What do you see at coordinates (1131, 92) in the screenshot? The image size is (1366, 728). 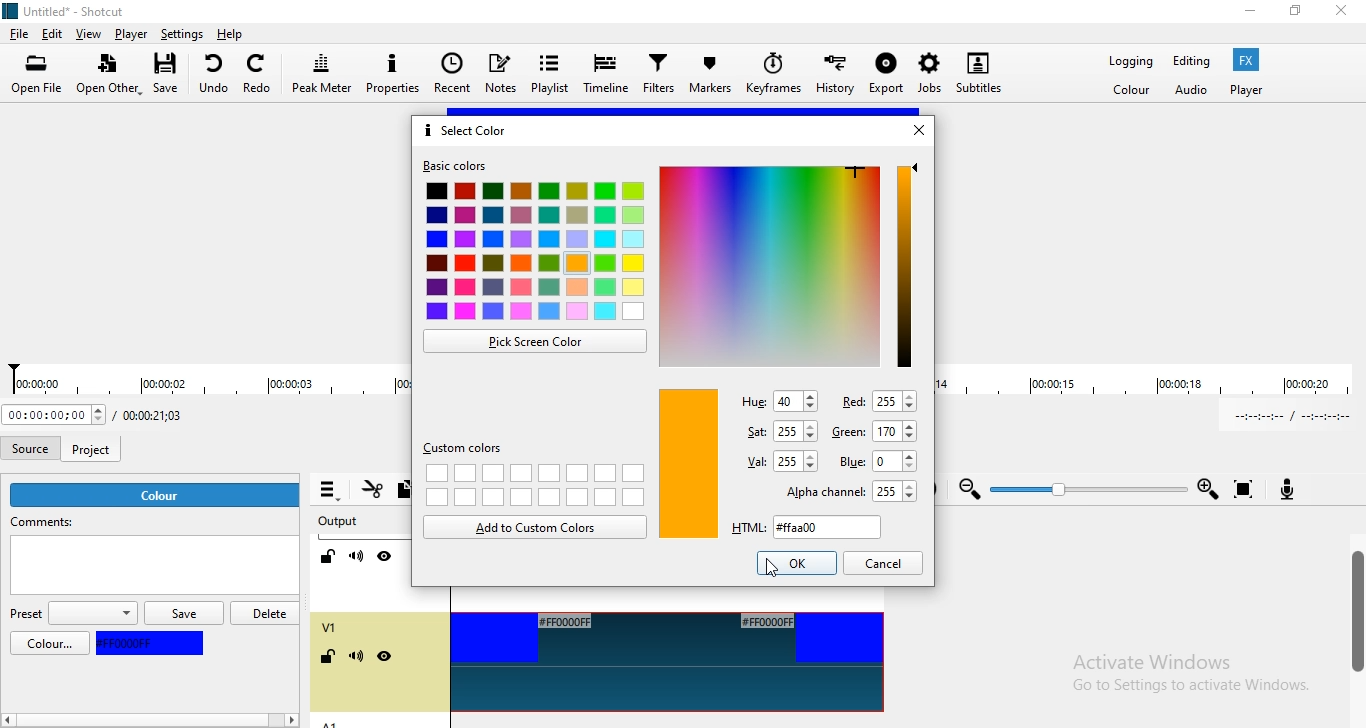 I see `Color` at bounding box center [1131, 92].